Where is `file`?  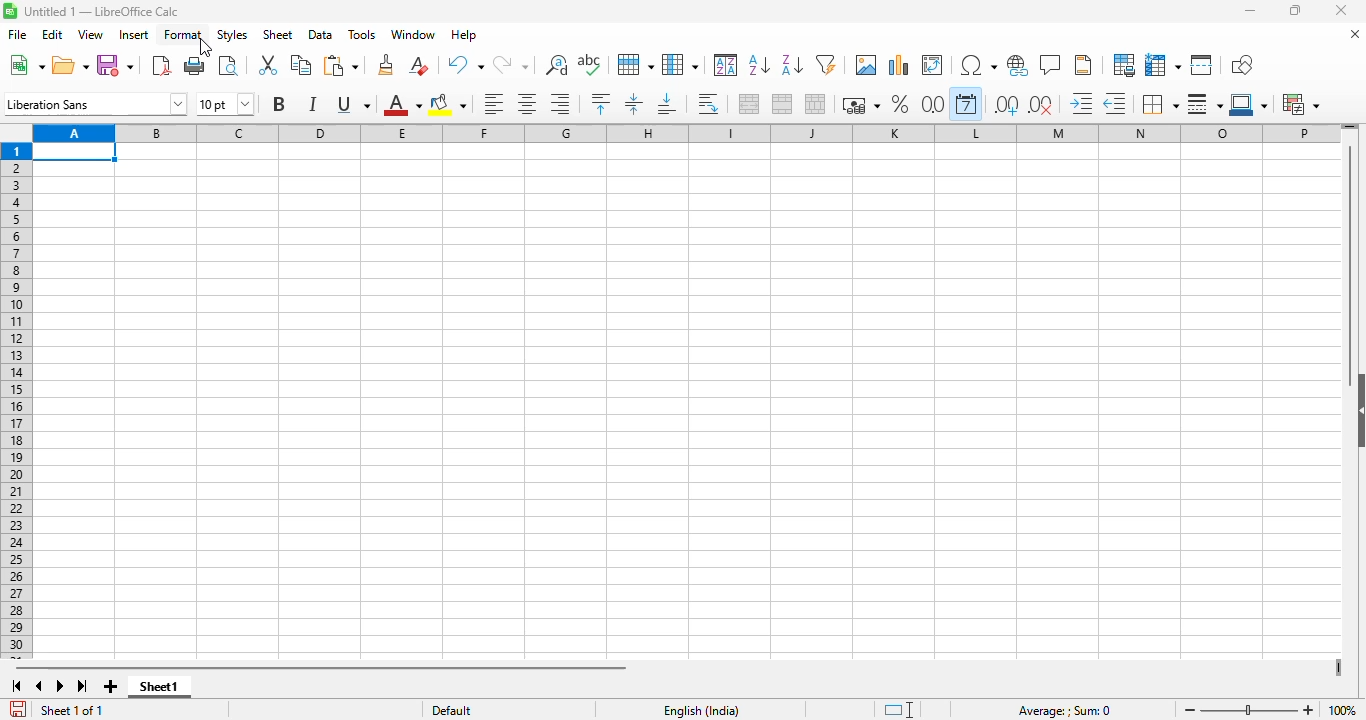 file is located at coordinates (17, 34).